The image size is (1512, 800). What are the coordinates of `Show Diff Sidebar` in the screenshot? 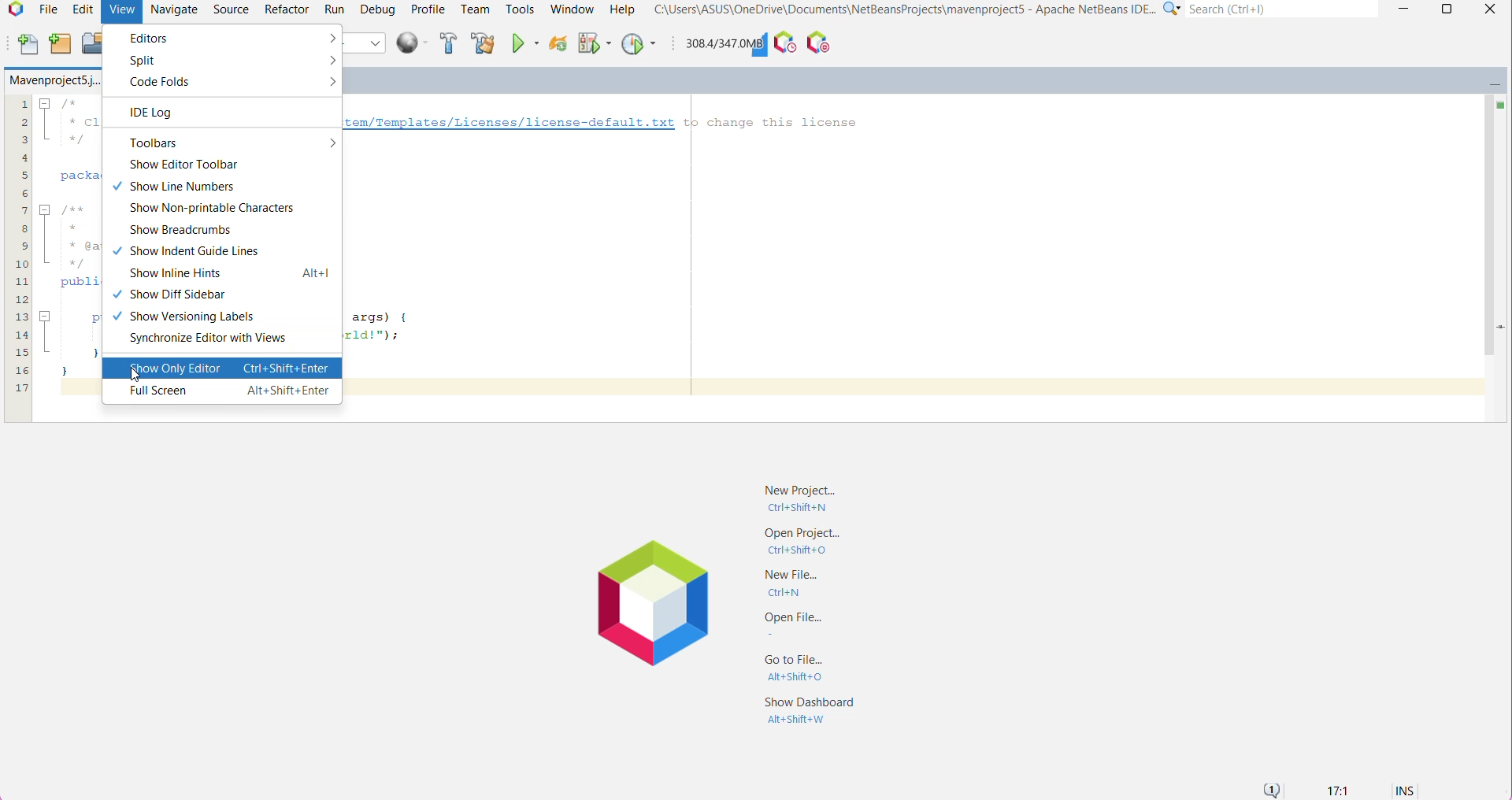 It's located at (181, 293).